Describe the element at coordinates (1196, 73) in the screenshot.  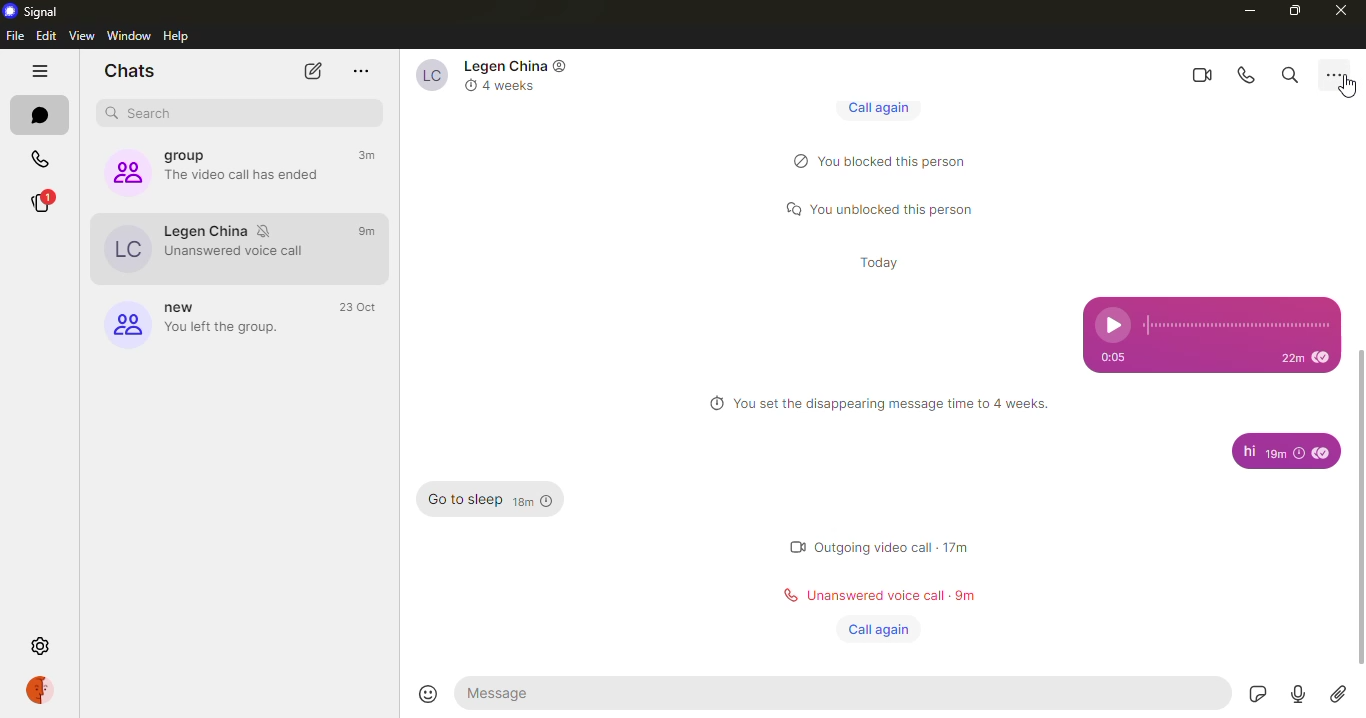
I see `video call` at that location.